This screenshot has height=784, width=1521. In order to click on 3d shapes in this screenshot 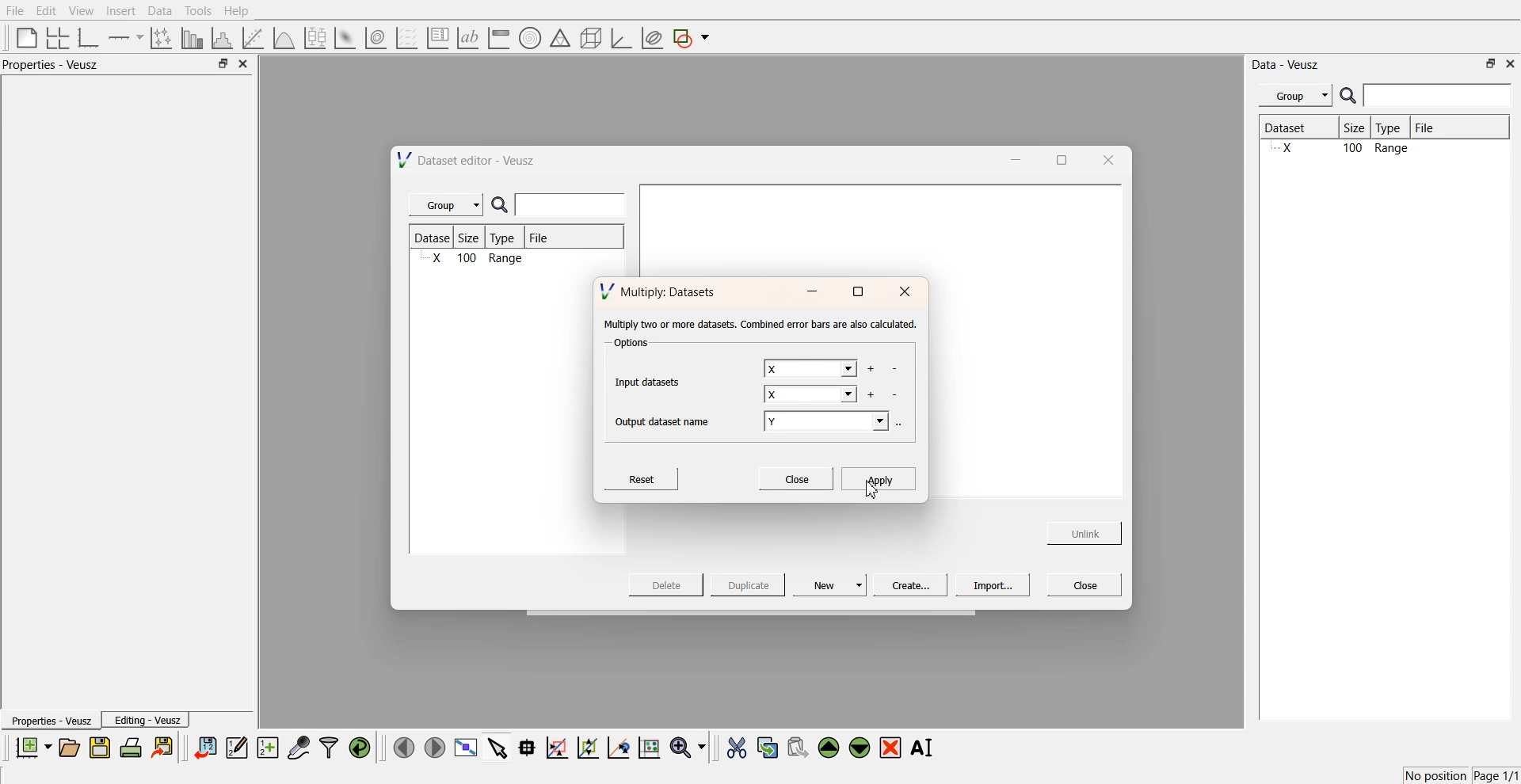, I will do `click(588, 38)`.